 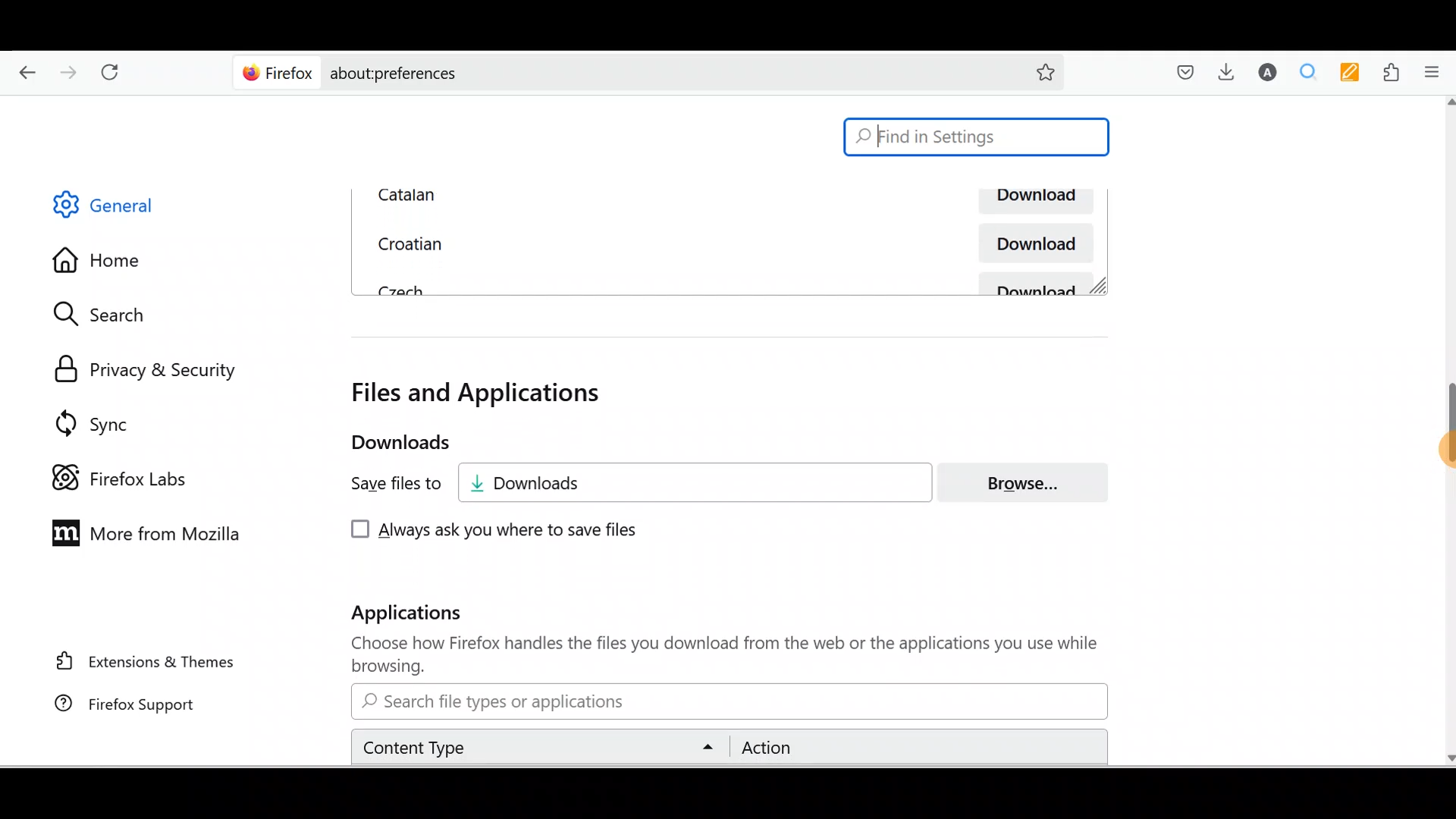 I want to click on Content type, so click(x=542, y=746).